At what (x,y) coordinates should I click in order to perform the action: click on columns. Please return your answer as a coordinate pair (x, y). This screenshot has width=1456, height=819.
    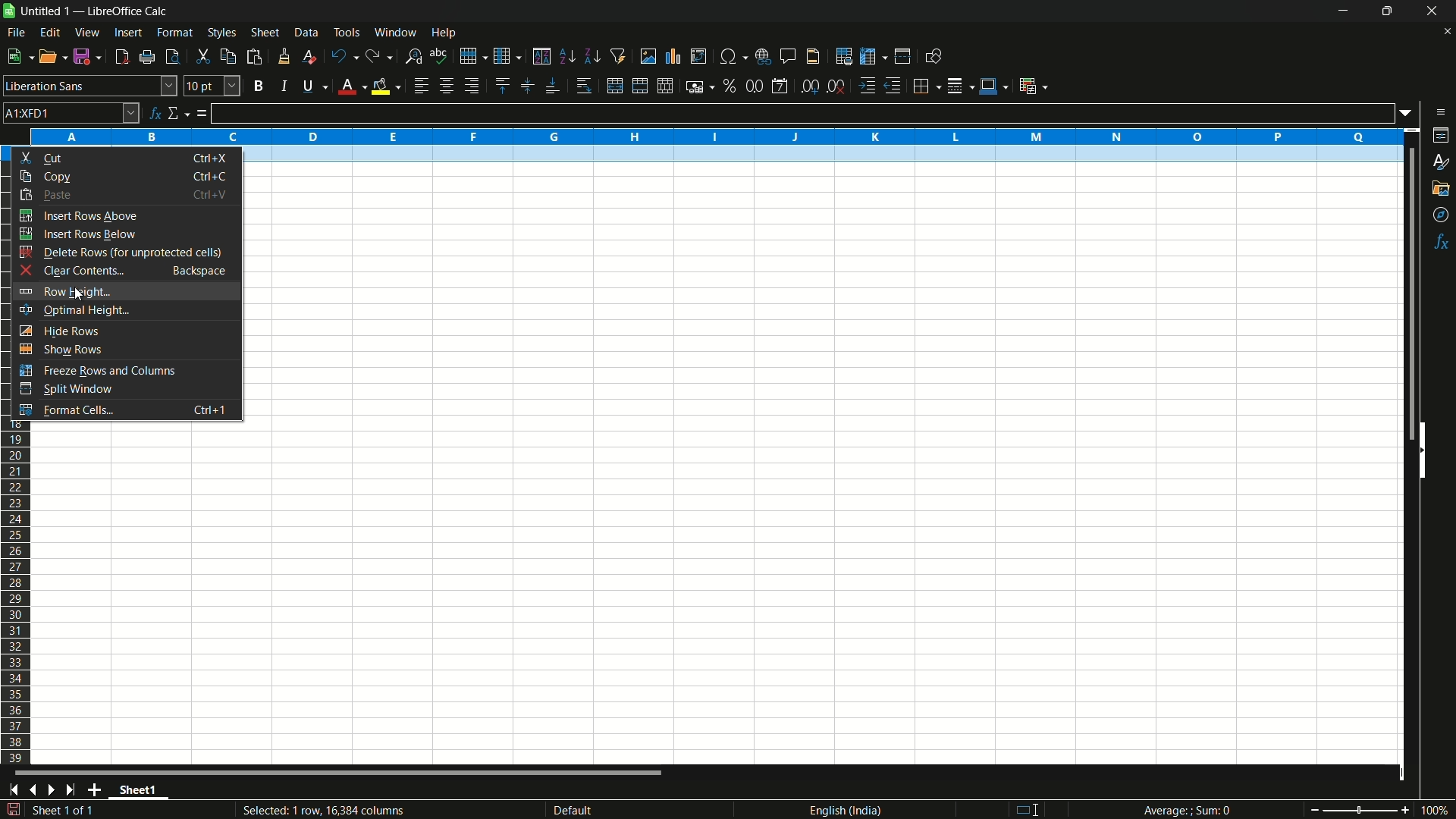
    Looking at the image, I should click on (716, 135).